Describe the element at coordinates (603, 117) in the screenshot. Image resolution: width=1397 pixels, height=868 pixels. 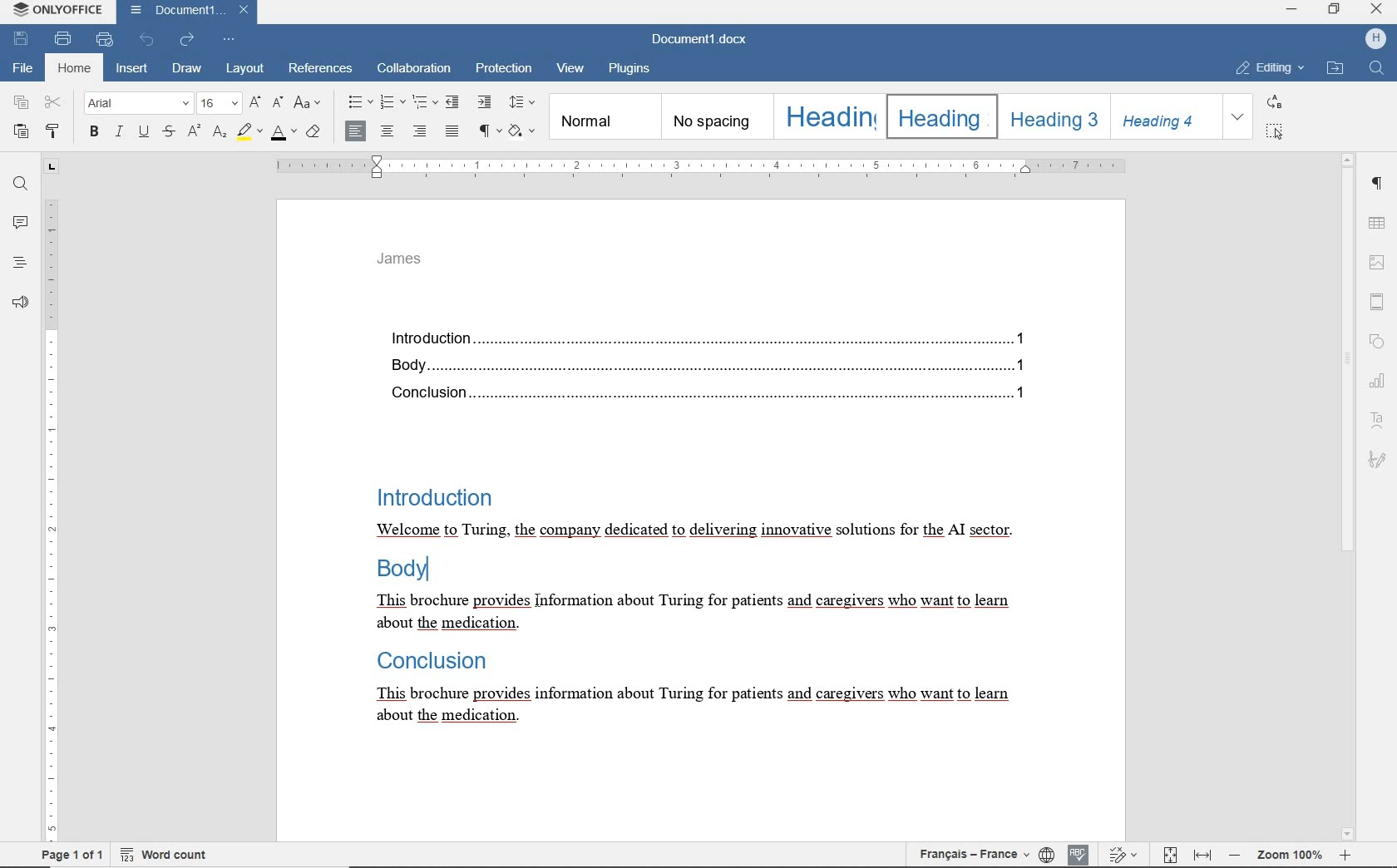
I see `NORMAL` at that location.